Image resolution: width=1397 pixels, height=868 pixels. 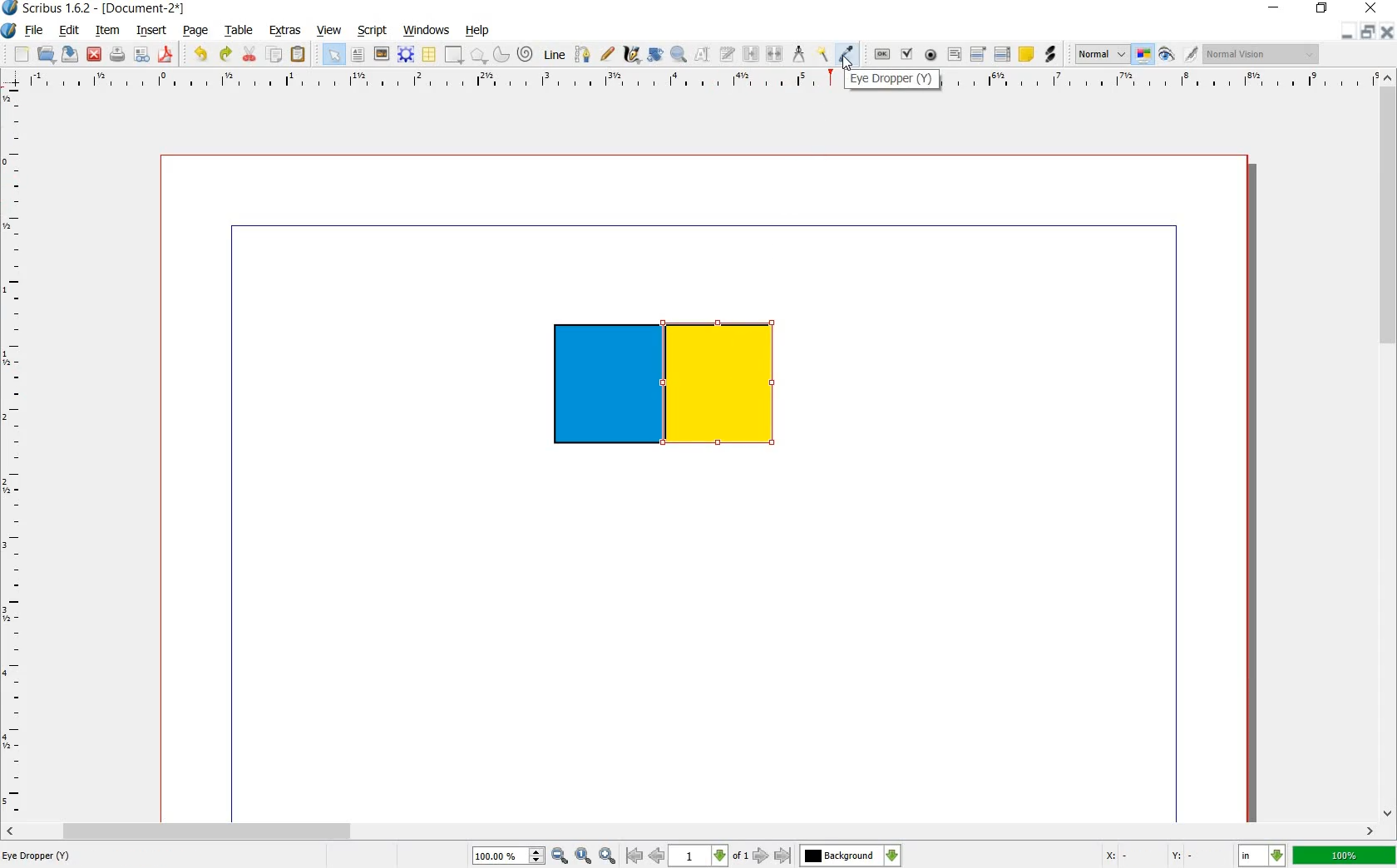 I want to click on paste, so click(x=299, y=53).